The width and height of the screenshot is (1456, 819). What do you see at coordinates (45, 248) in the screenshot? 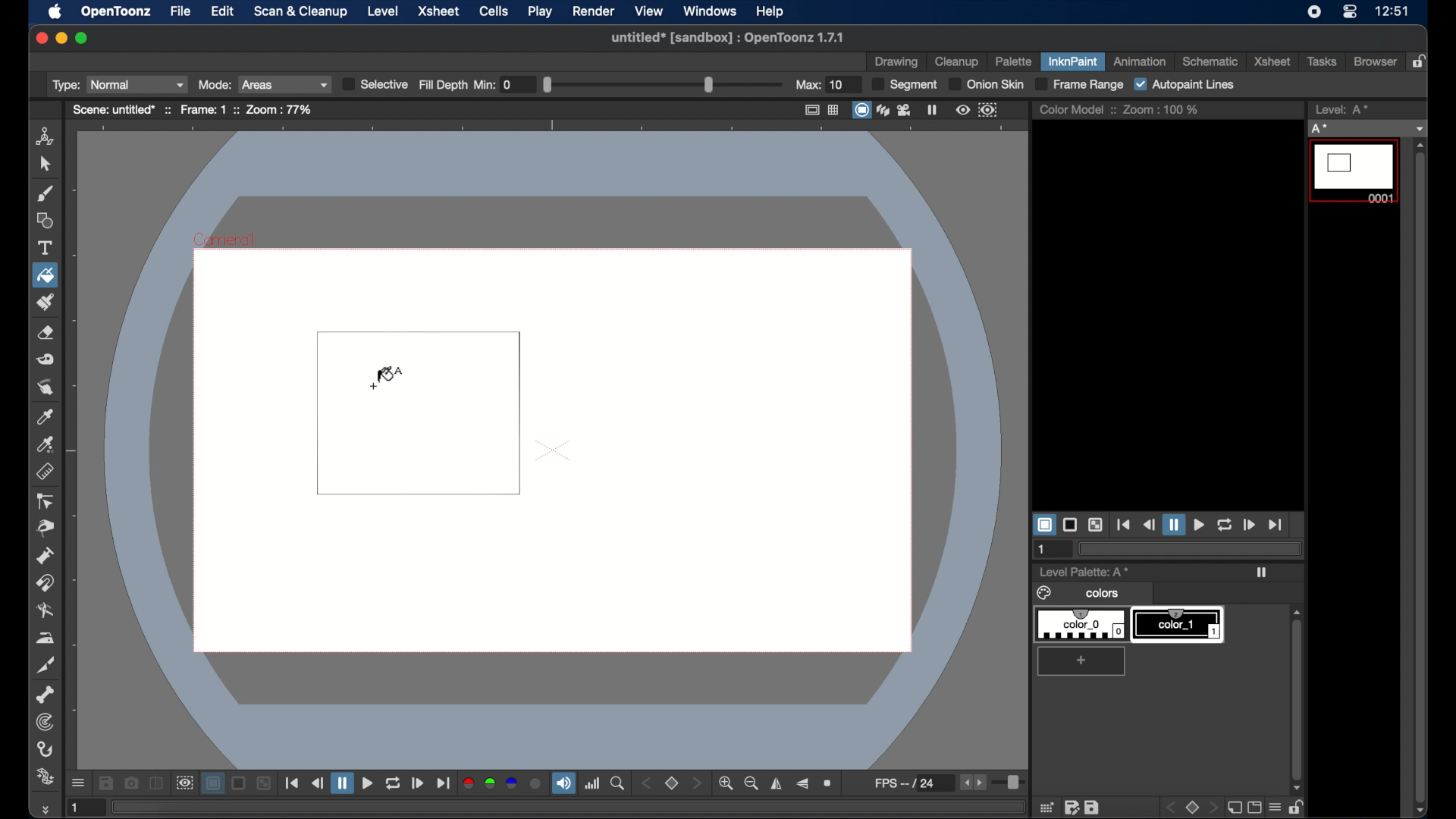
I see `text` at bounding box center [45, 248].